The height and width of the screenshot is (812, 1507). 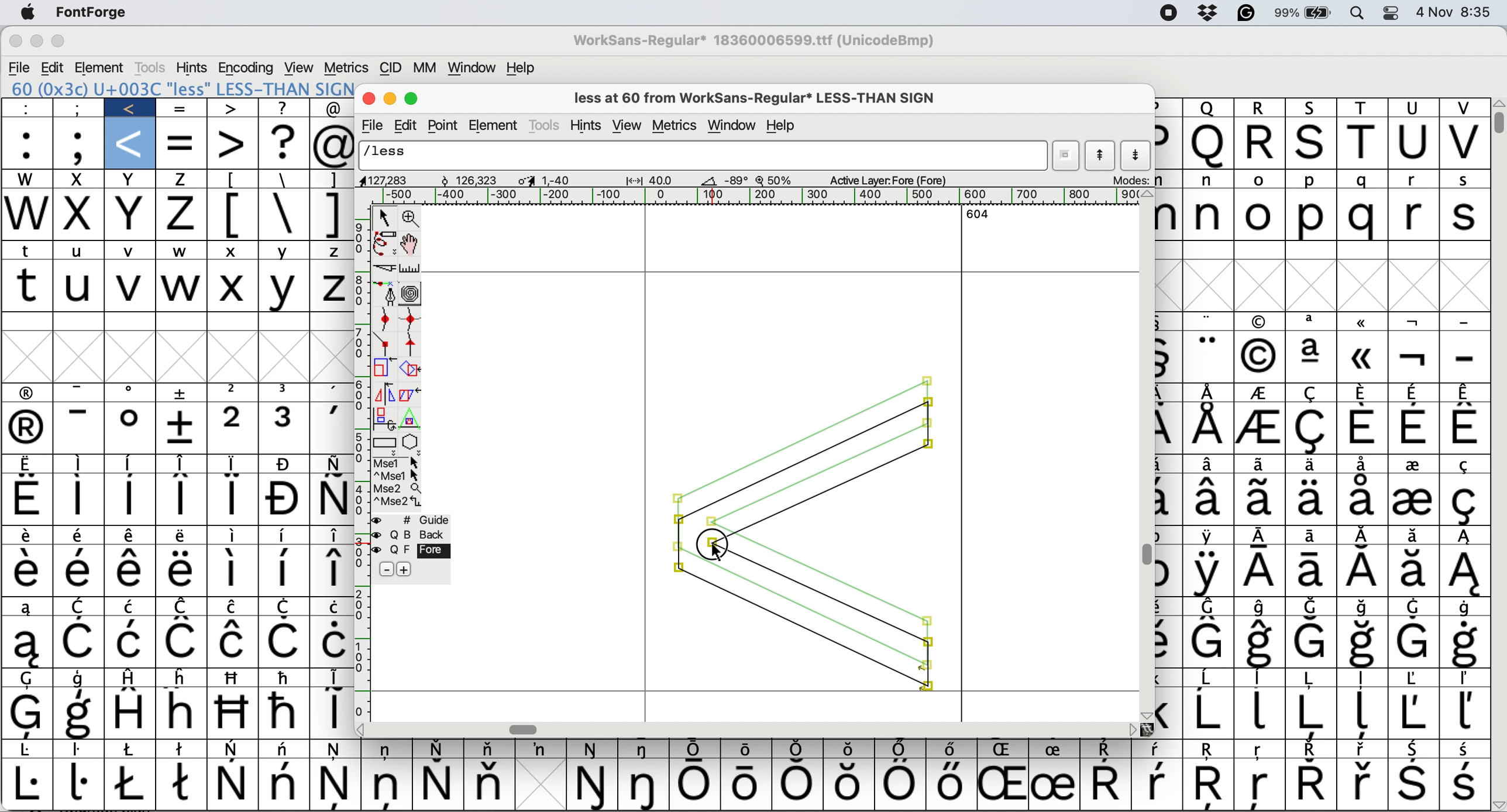 I want to click on x, so click(x=80, y=180).